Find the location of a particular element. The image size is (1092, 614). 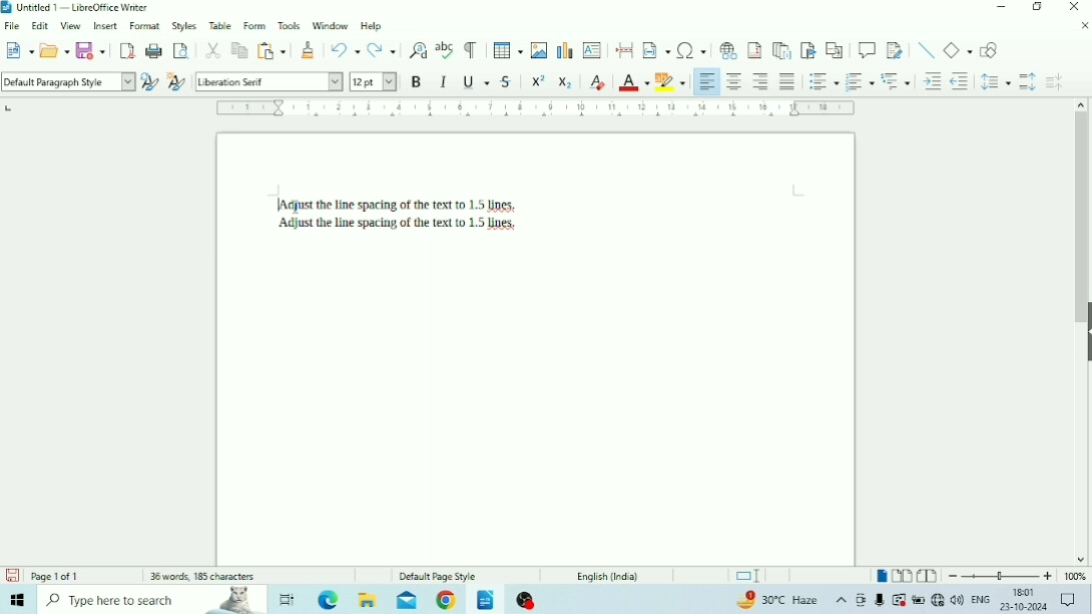

Insert is located at coordinates (105, 24).